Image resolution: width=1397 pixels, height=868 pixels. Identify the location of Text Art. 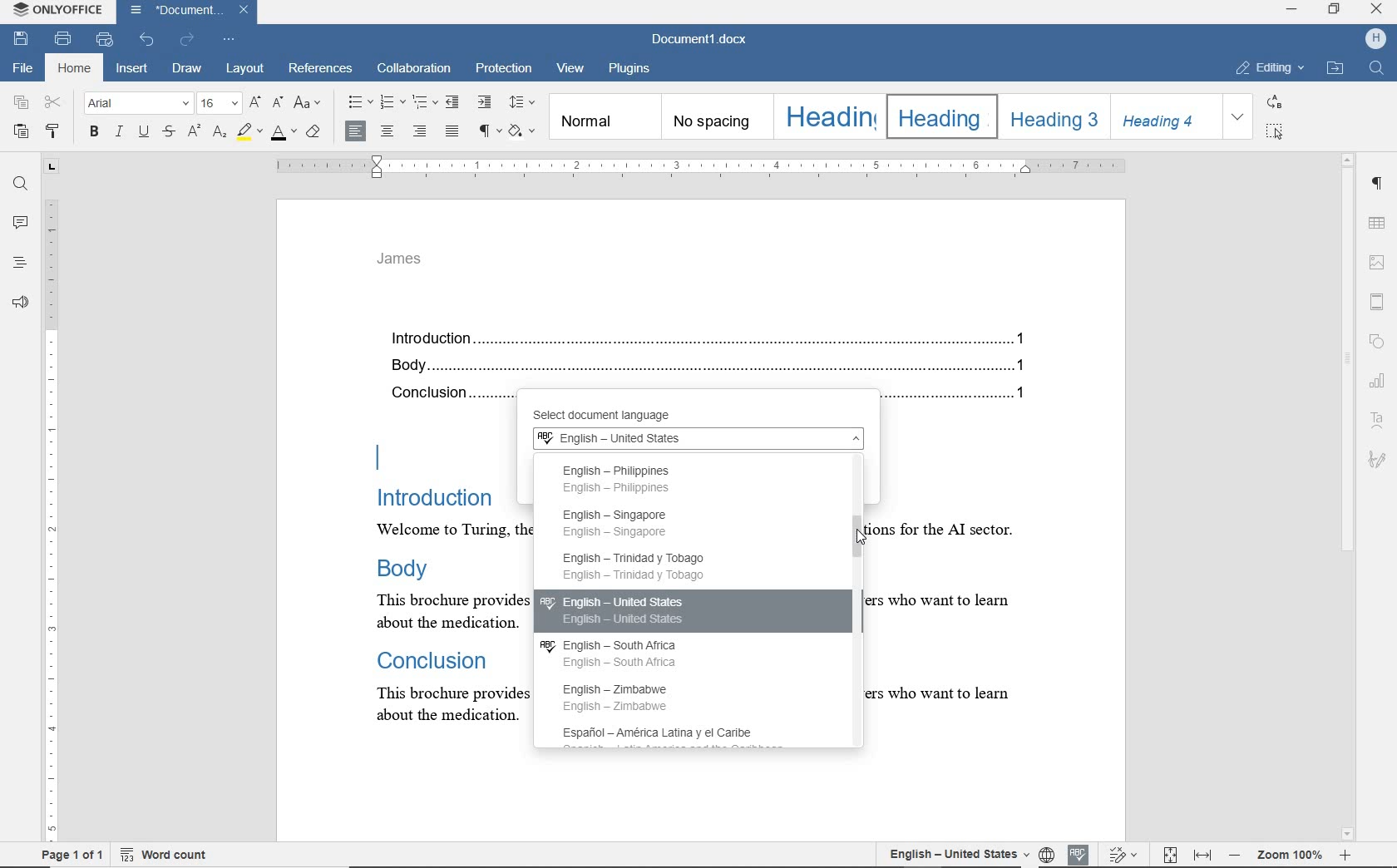
(1379, 421).